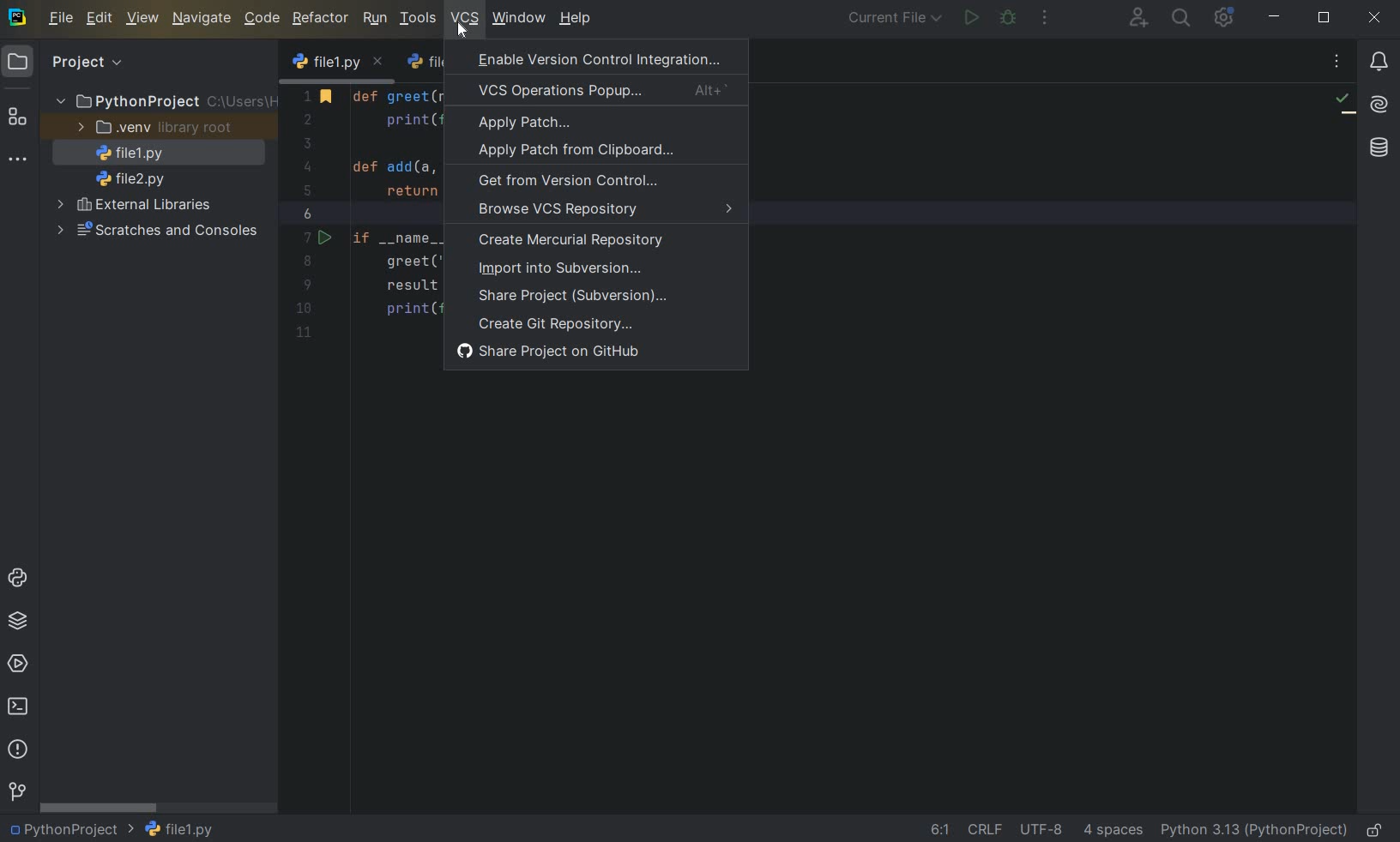 The height and width of the screenshot is (842, 1400). I want to click on apply patch, so click(568, 123).